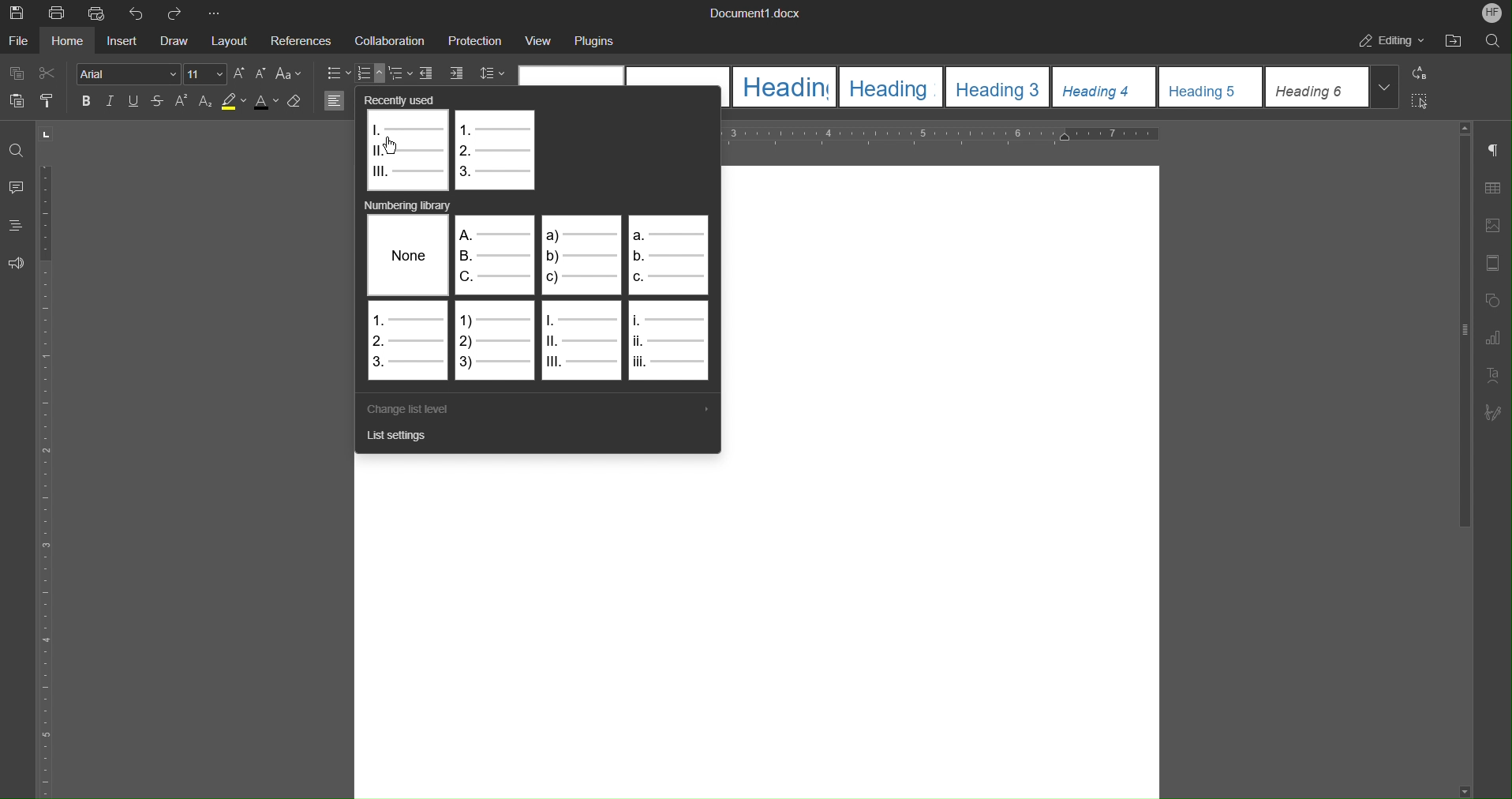  I want to click on Bold, so click(86, 101).